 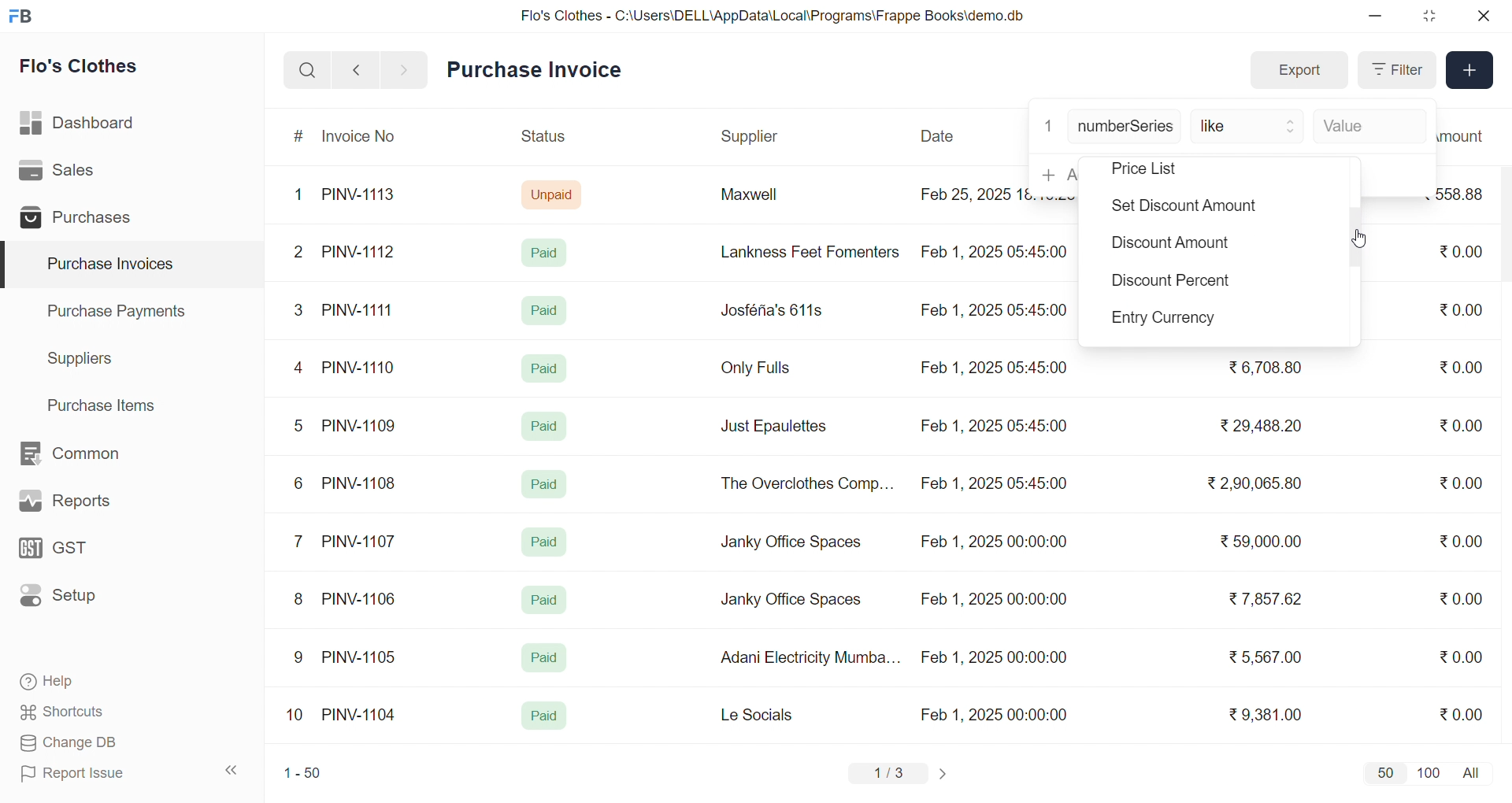 I want to click on 6, so click(x=298, y=483).